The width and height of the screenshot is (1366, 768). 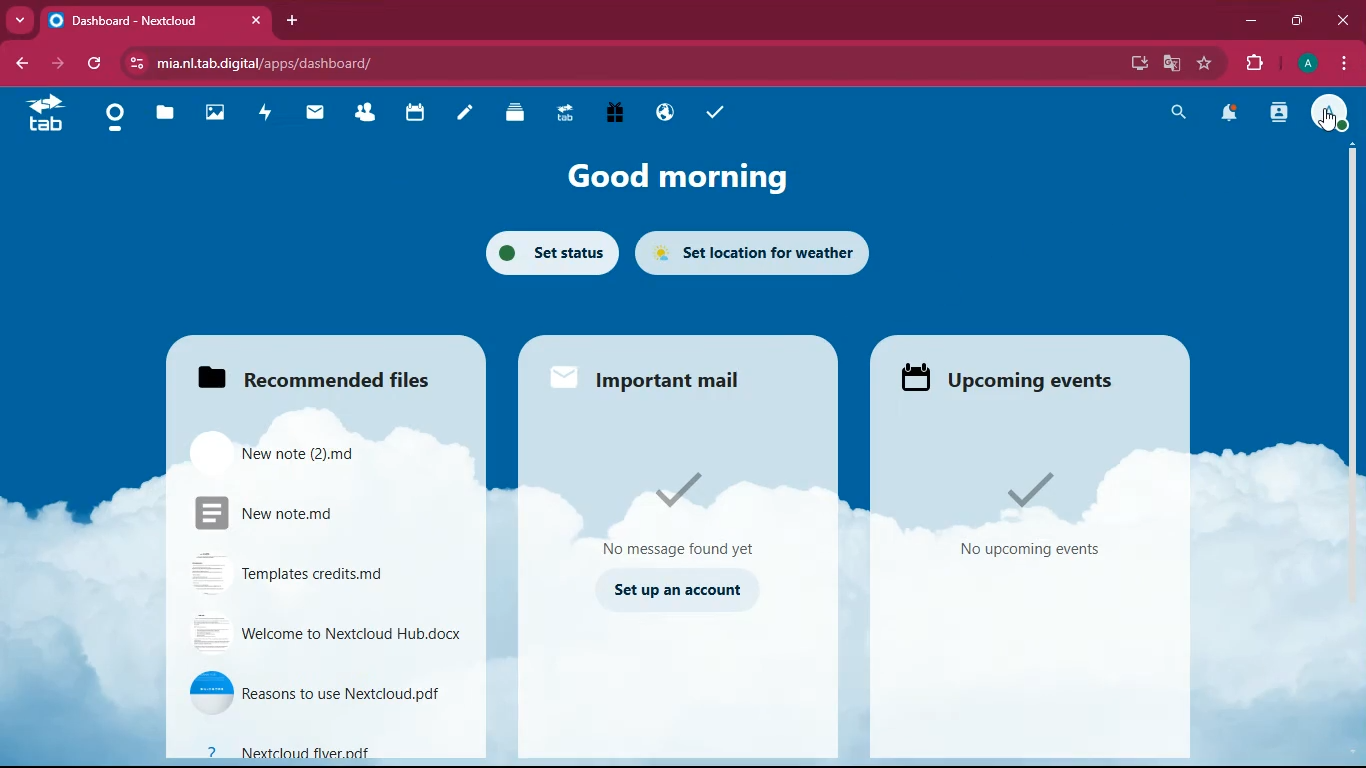 What do you see at coordinates (1173, 114) in the screenshot?
I see `search` at bounding box center [1173, 114].